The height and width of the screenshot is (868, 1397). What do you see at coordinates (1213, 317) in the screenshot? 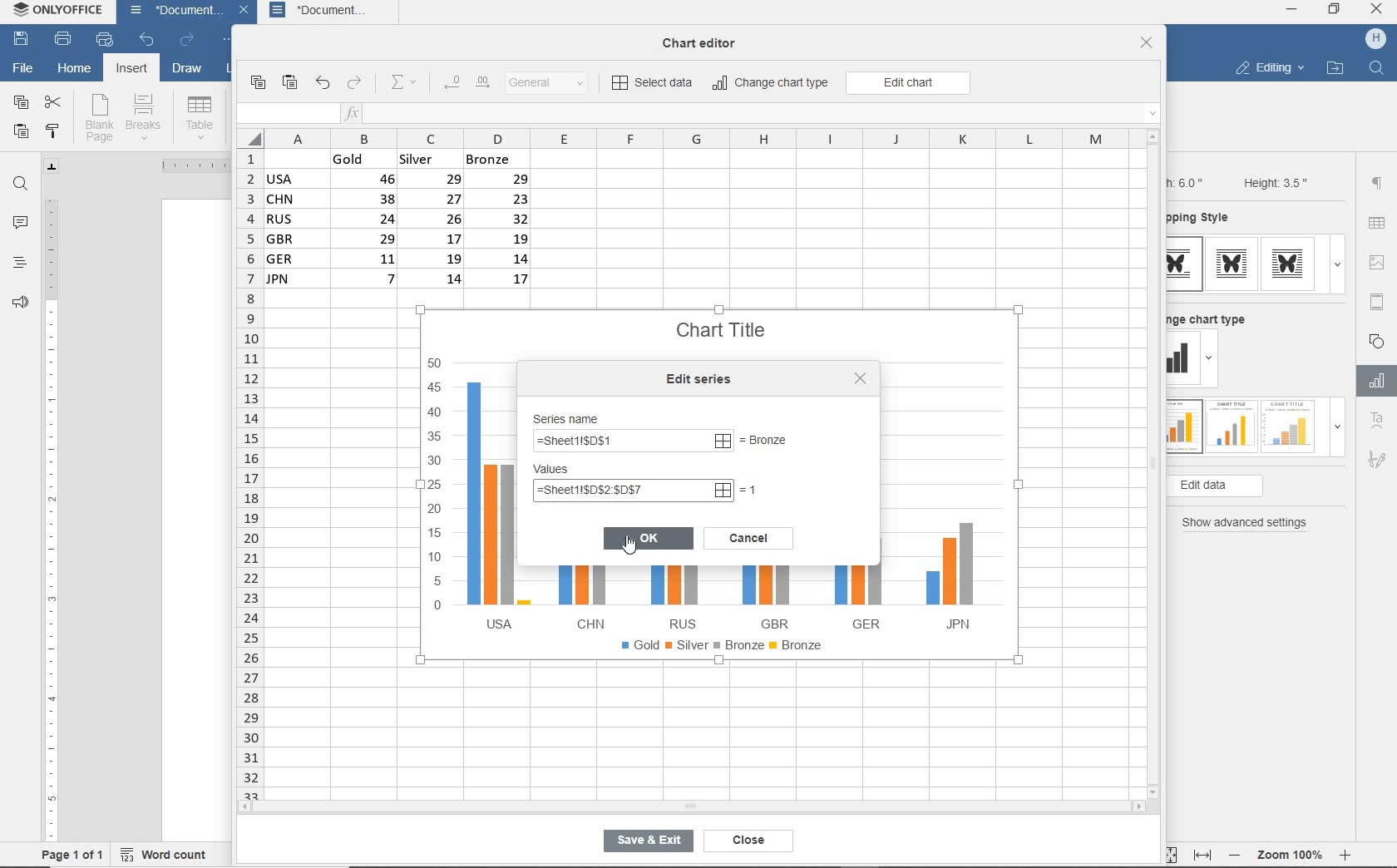
I see `change chart type` at bounding box center [1213, 317].